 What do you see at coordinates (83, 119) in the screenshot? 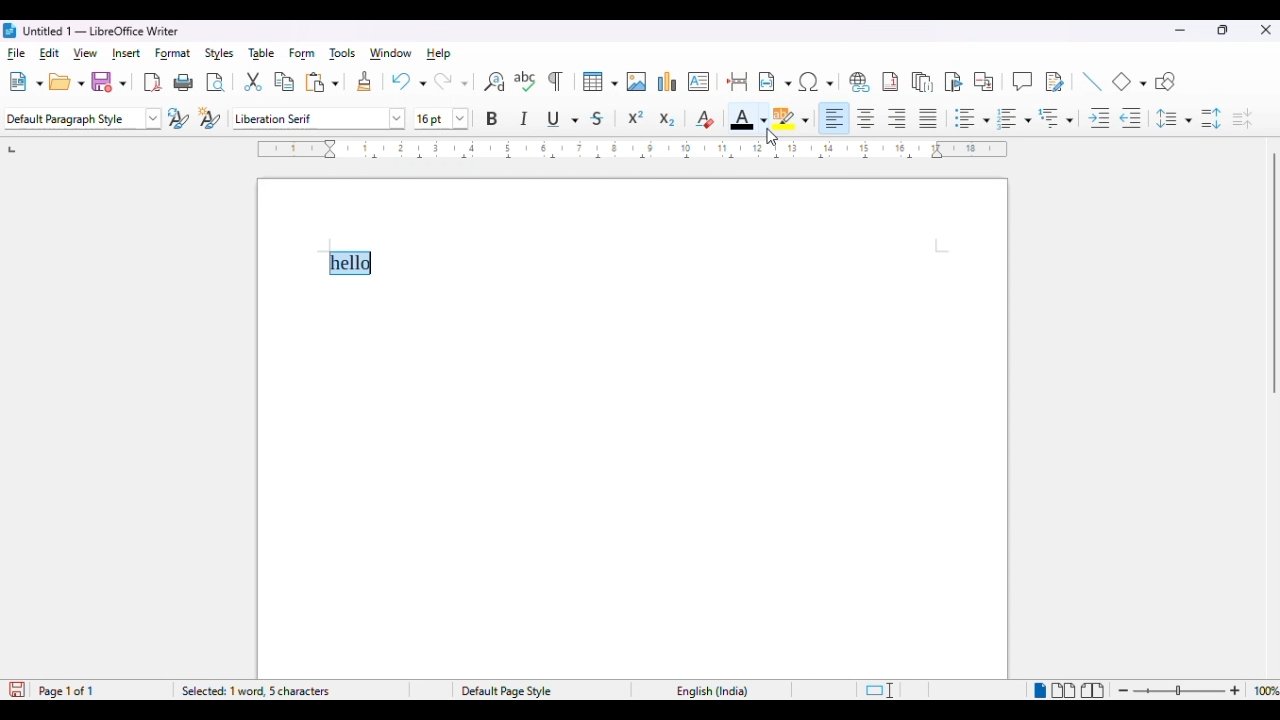
I see `set paragraph style` at bounding box center [83, 119].